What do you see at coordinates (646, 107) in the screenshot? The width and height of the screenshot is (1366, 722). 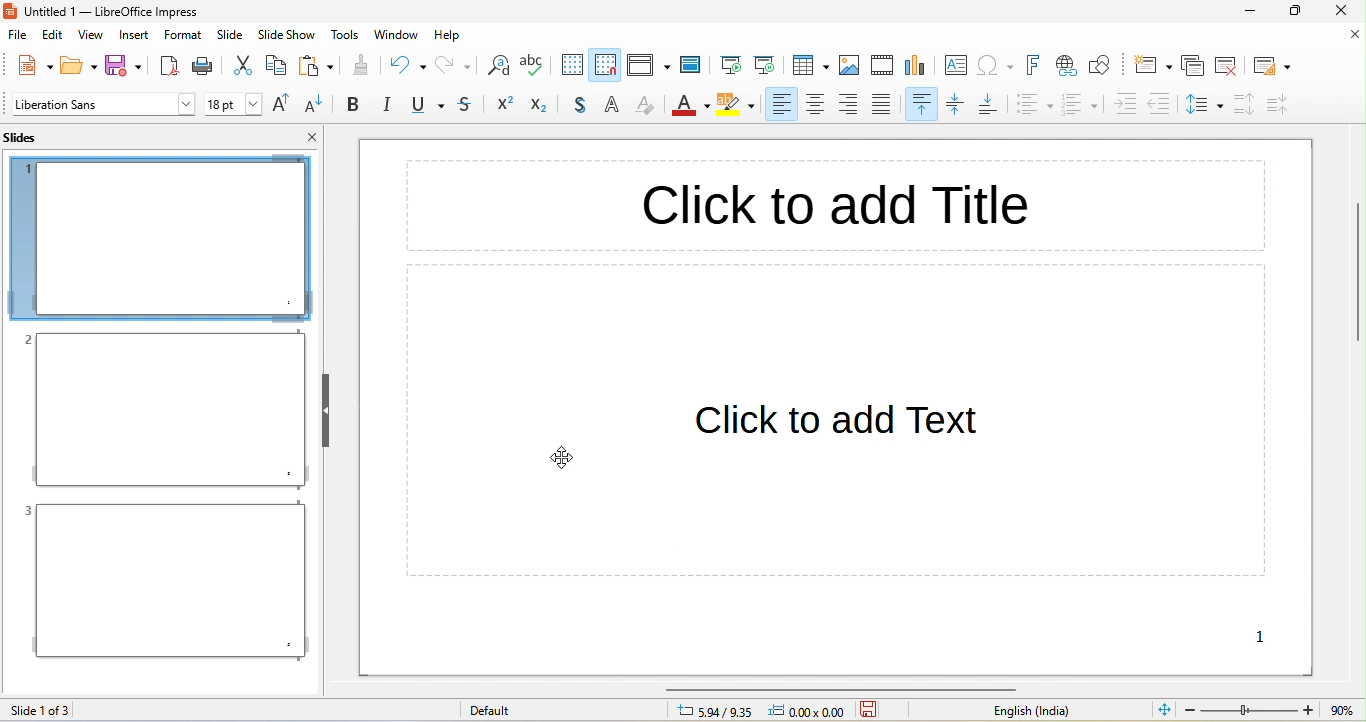 I see `clear direct formatting` at bounding box center [646, 107].